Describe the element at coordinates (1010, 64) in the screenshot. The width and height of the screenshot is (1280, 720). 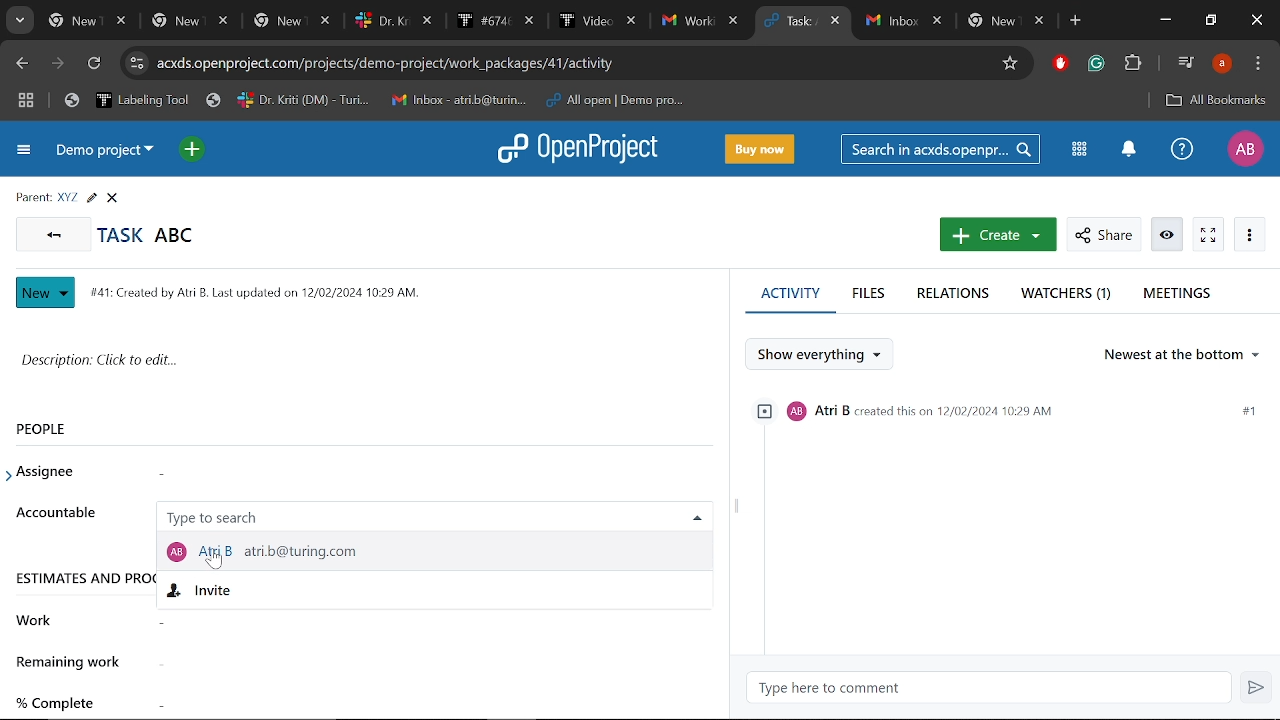
I see `Add/remove bookmark` at that location.